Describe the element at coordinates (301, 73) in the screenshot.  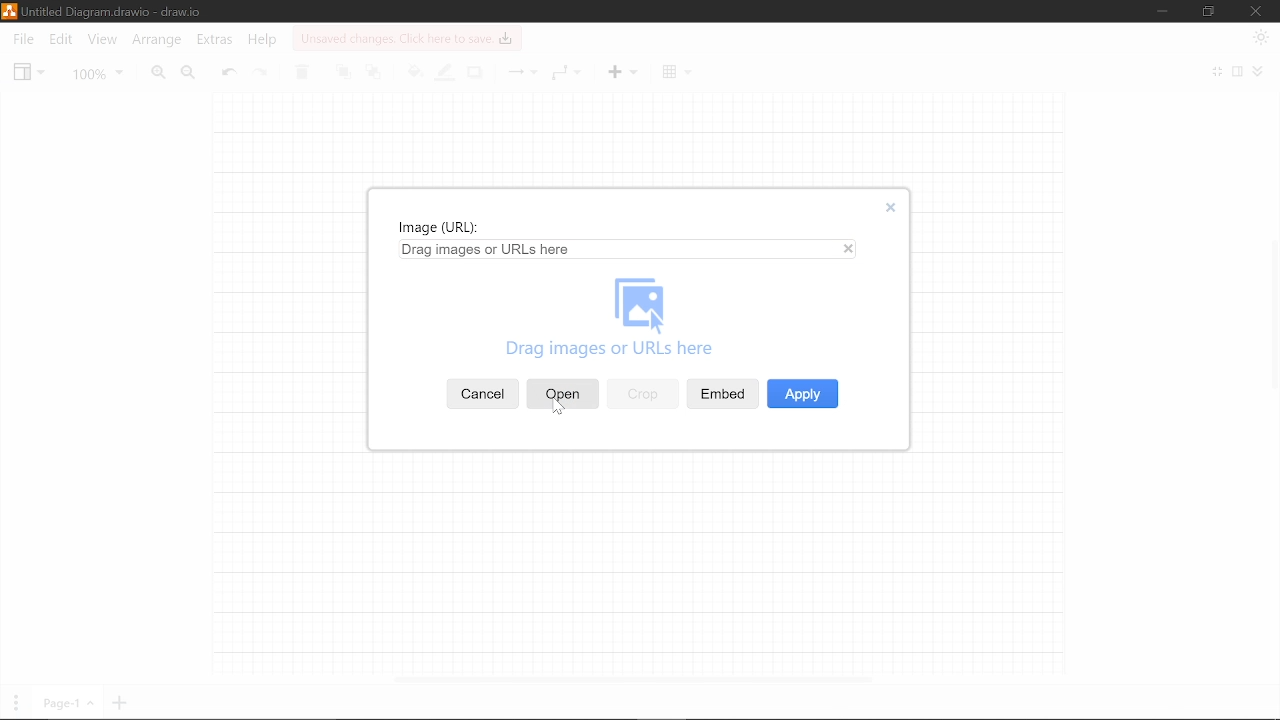
I see `Delete` at that location.